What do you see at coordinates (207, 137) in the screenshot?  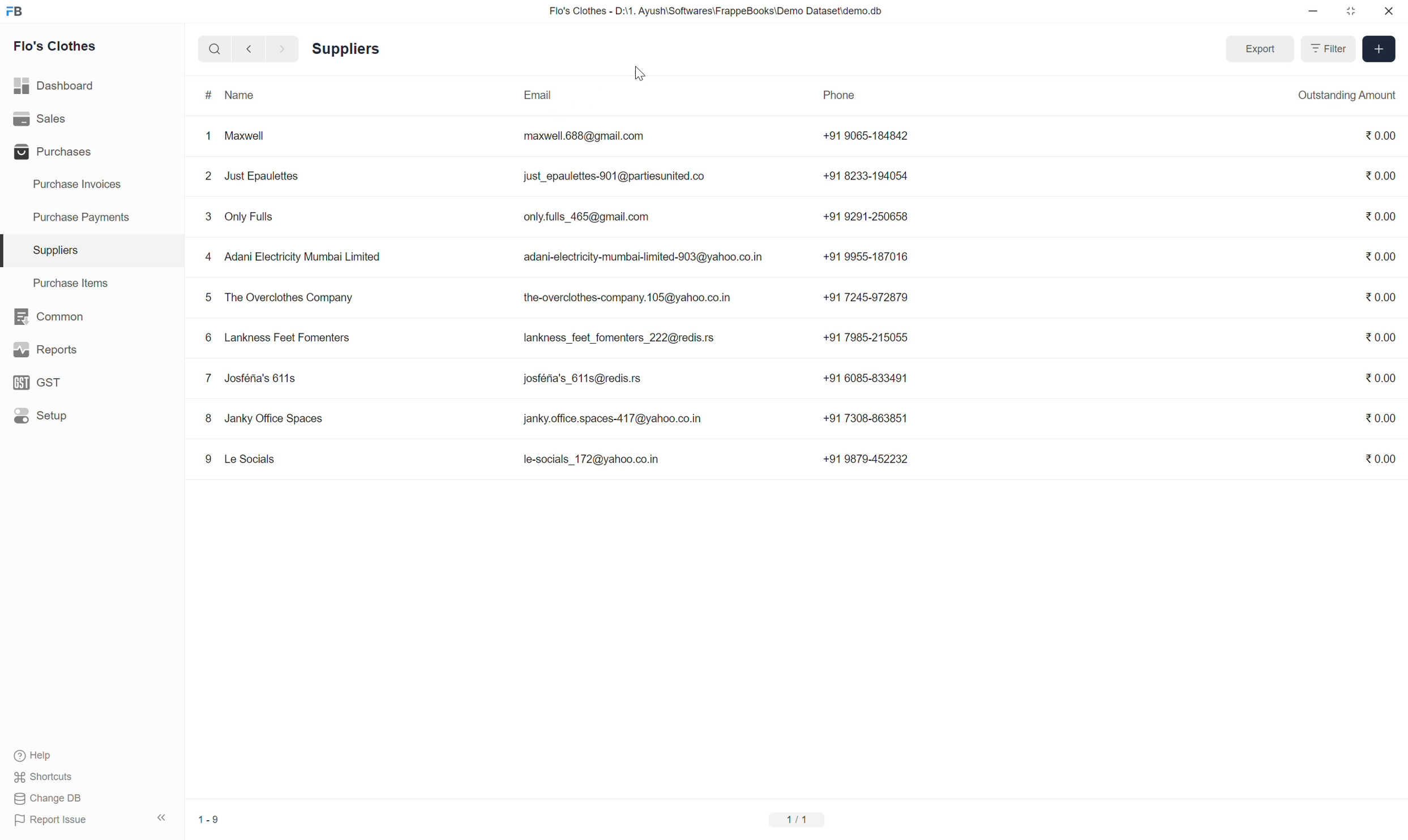 I see `1` at bounding box center [207, 137].